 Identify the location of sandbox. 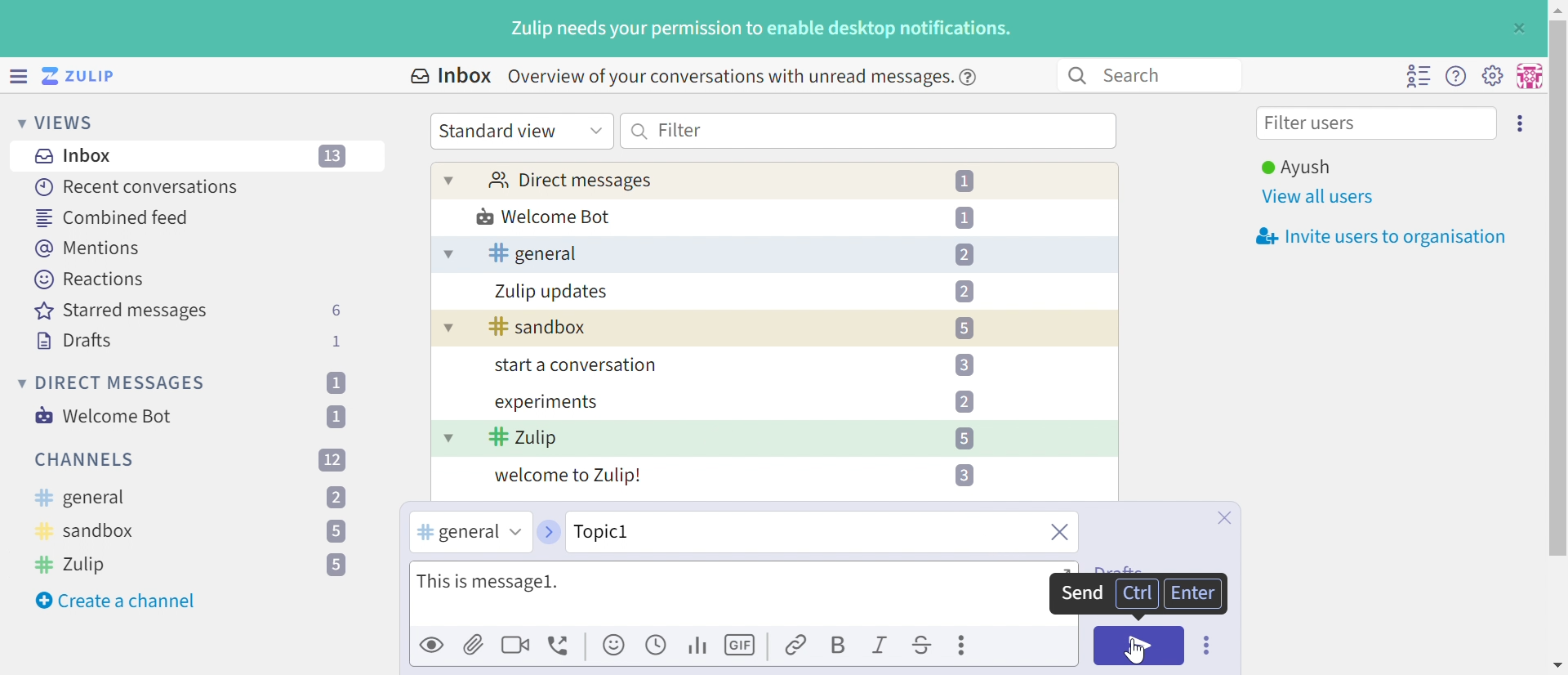
(87, 534).